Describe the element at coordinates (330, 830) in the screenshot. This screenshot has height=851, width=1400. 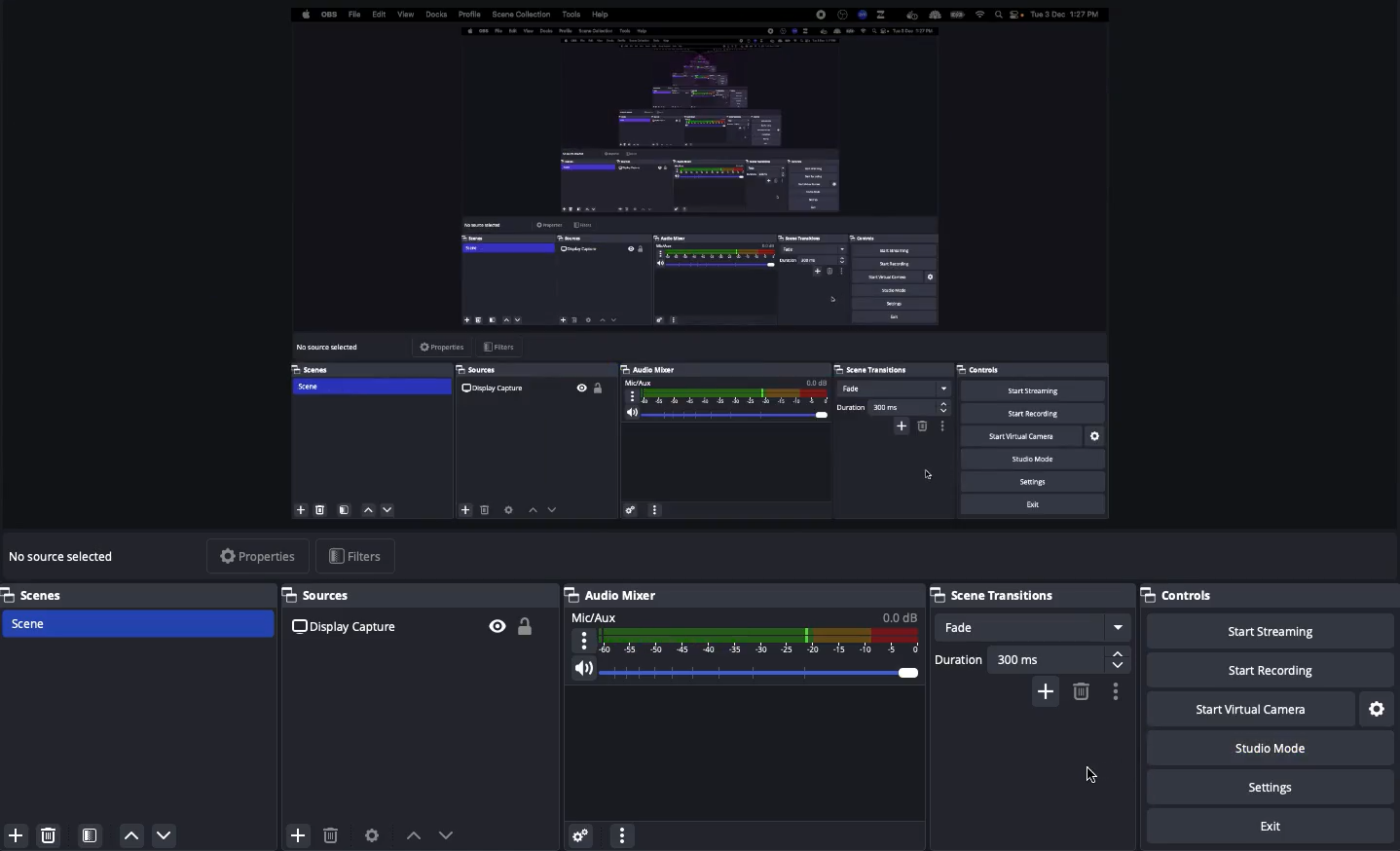
I see `delete` at that location.